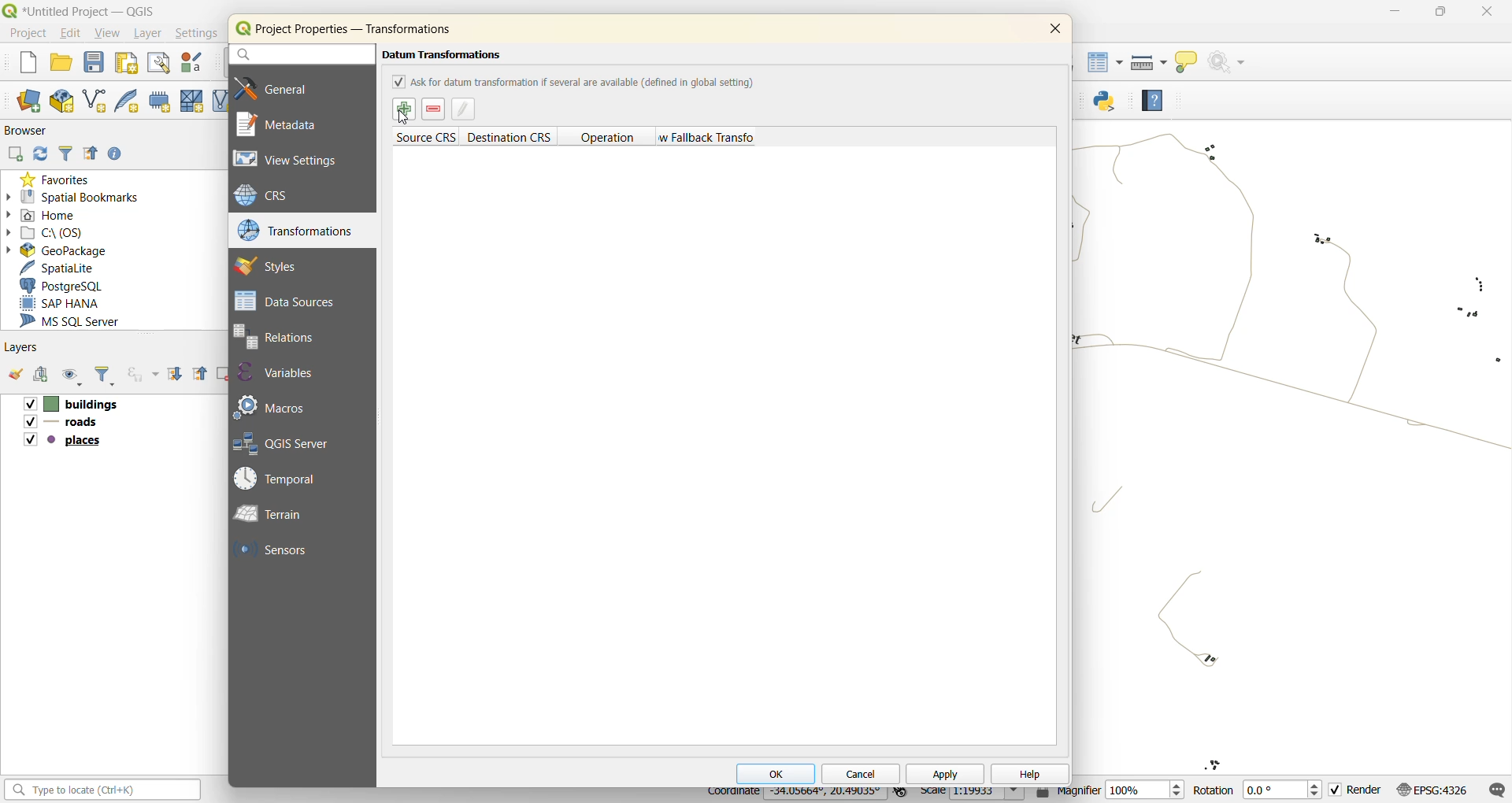 Image resolution: width=1512 pixels, height=803 pixels. I want to click on macros, so click(276, 405).